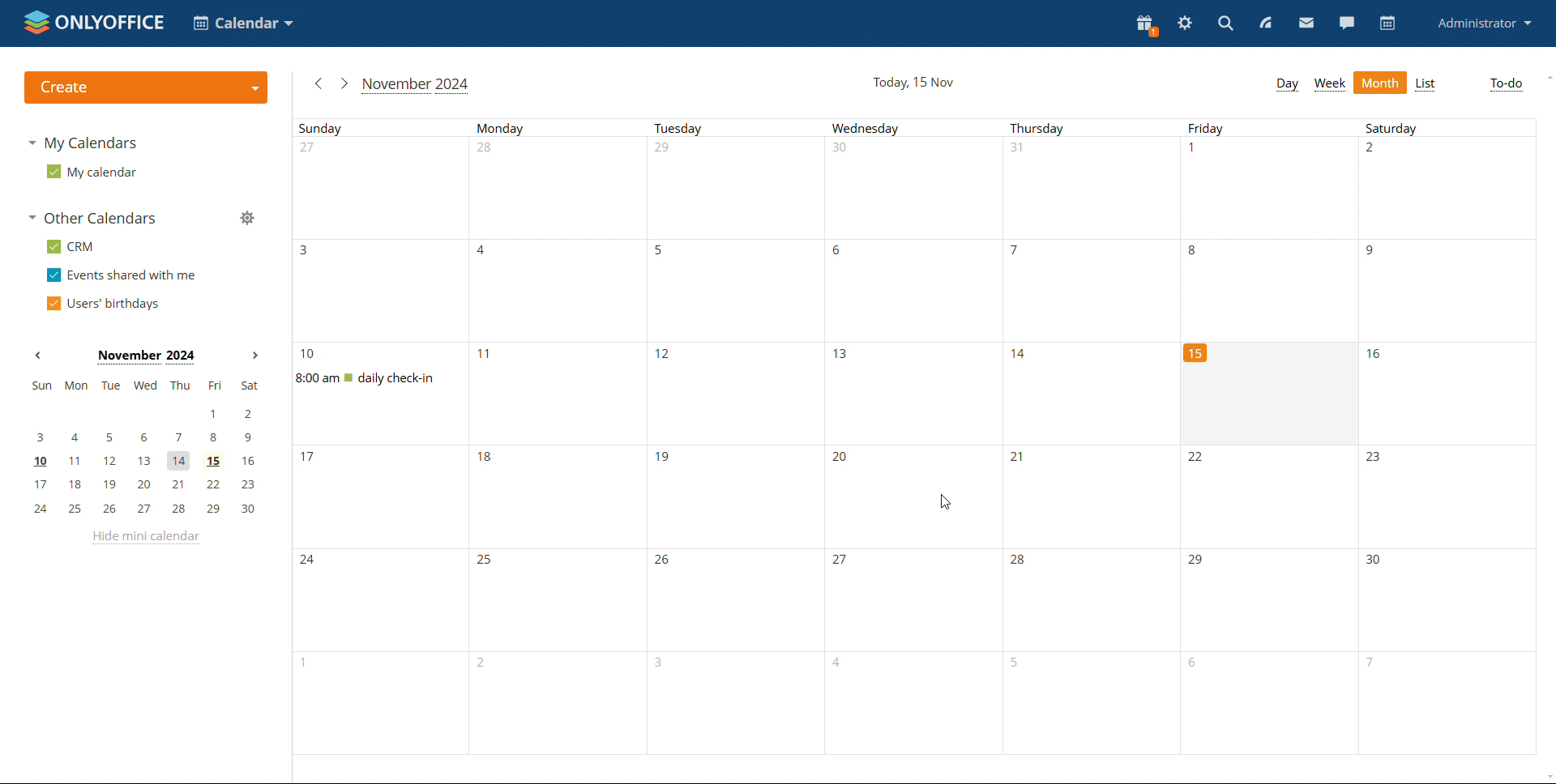 The height and width of the screenshot is (784, 1556). Describe the element at coordinates (1380, 83) in the screenshot. I see `month view` at that location.